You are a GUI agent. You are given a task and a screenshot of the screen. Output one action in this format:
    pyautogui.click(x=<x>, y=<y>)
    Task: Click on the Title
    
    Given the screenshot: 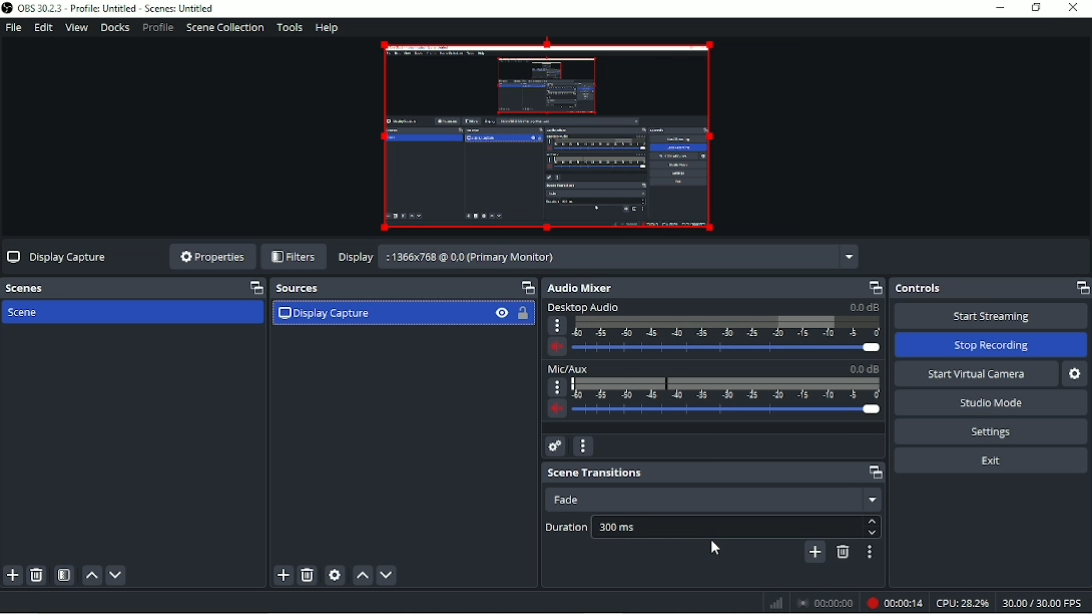 What is the action you would take?
    pyautogui.click(x=119, y=8)
    